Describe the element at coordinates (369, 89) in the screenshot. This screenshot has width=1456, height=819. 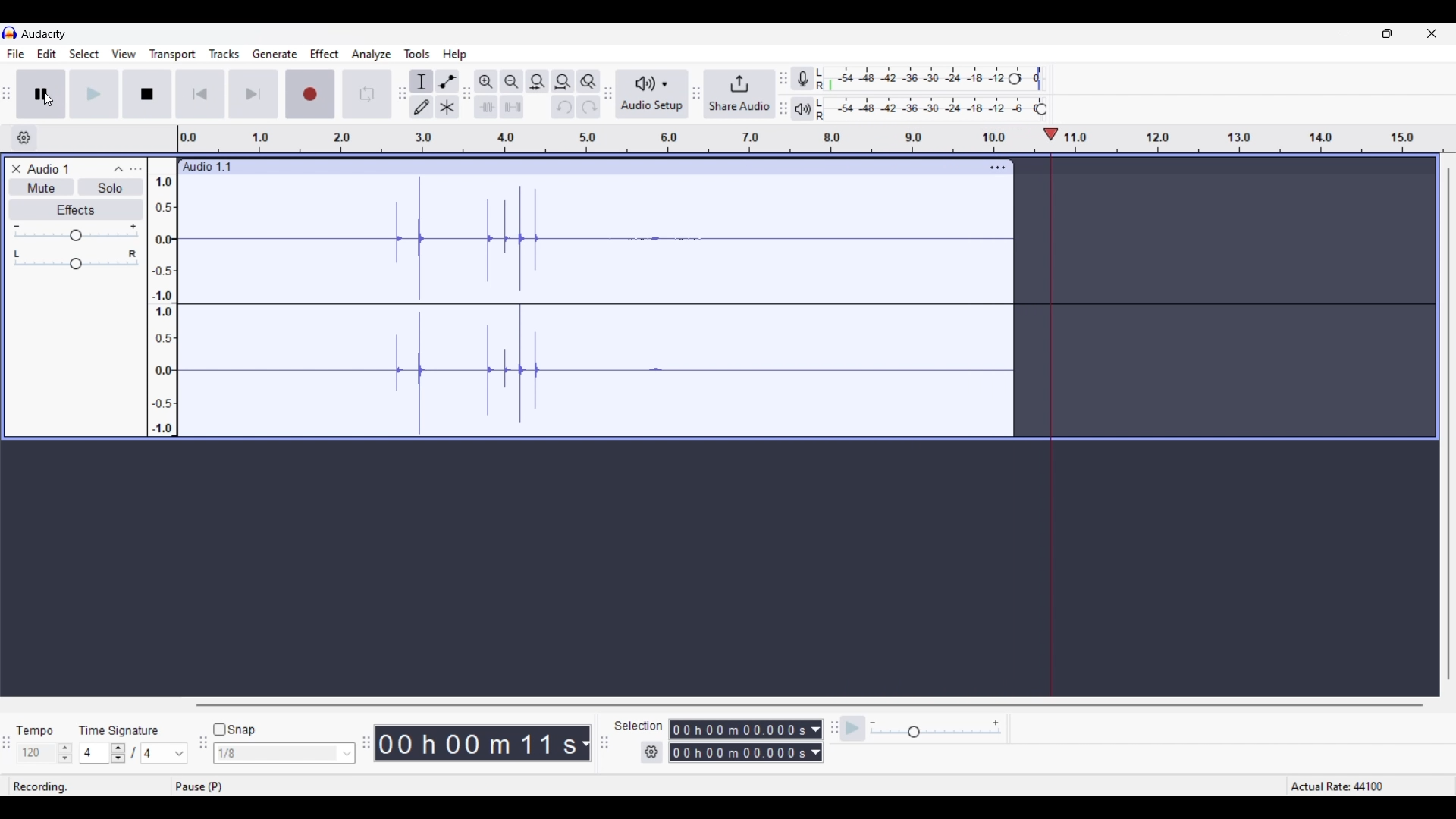
I see `Enable looping` at that location.